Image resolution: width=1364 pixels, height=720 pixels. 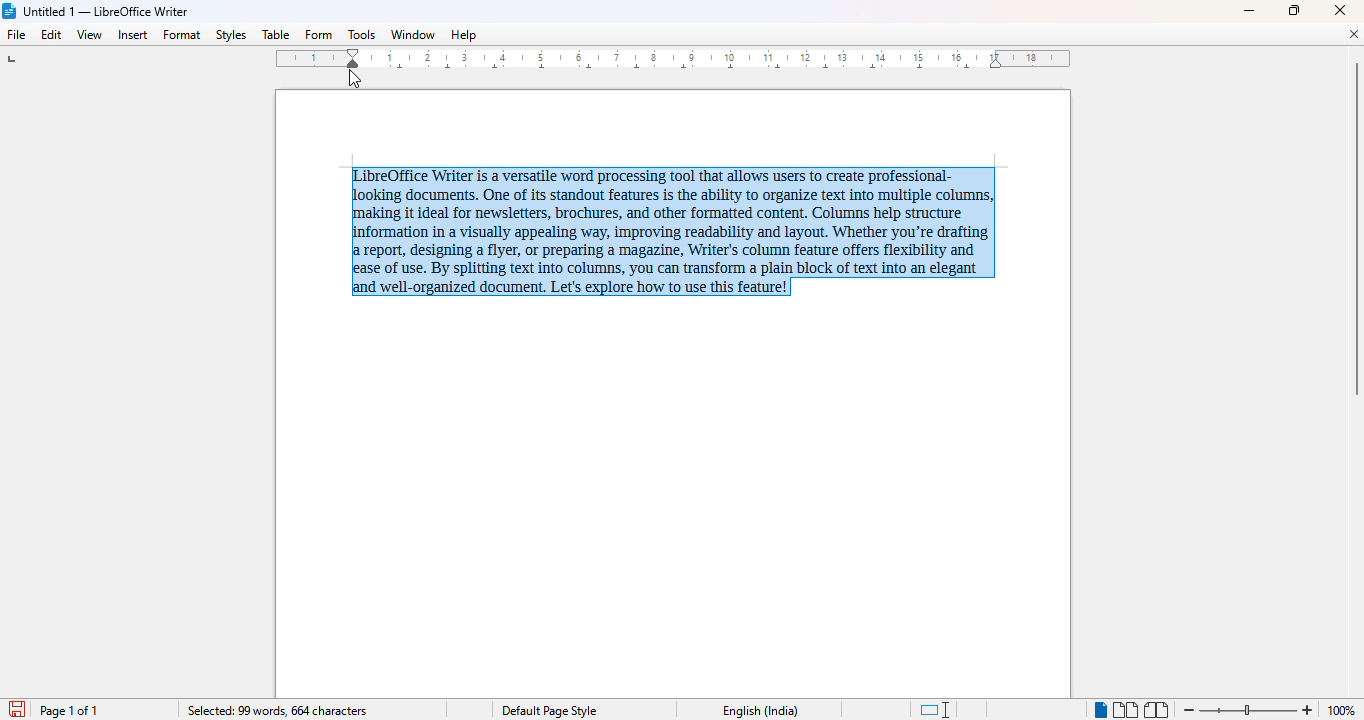 I want to click on tab stop, so click(x=17, y=61).